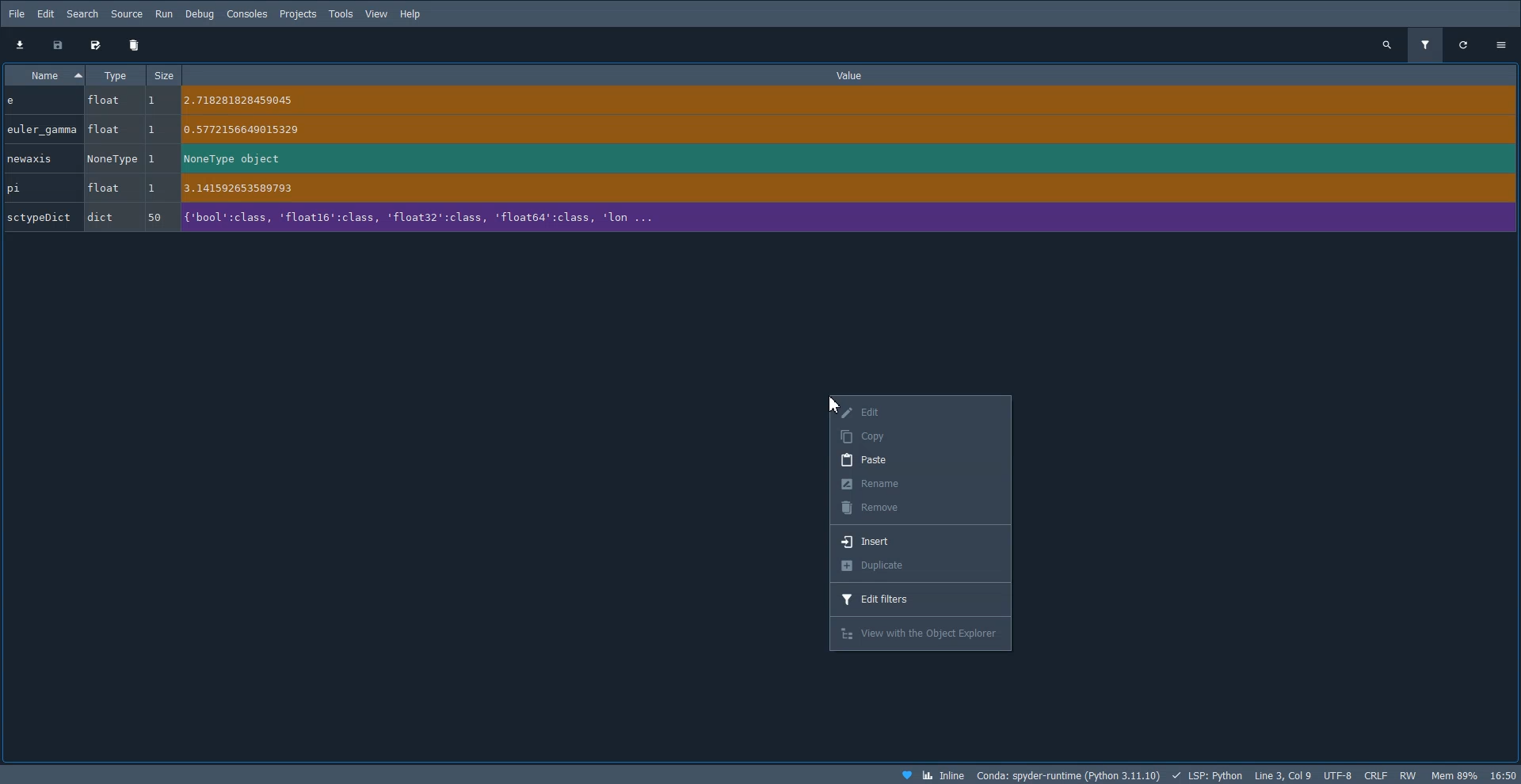 This screenshot has width=1521, height=784. Describe the element at coordinates (849, 74) in the screenshot. I see `Value` at that location.